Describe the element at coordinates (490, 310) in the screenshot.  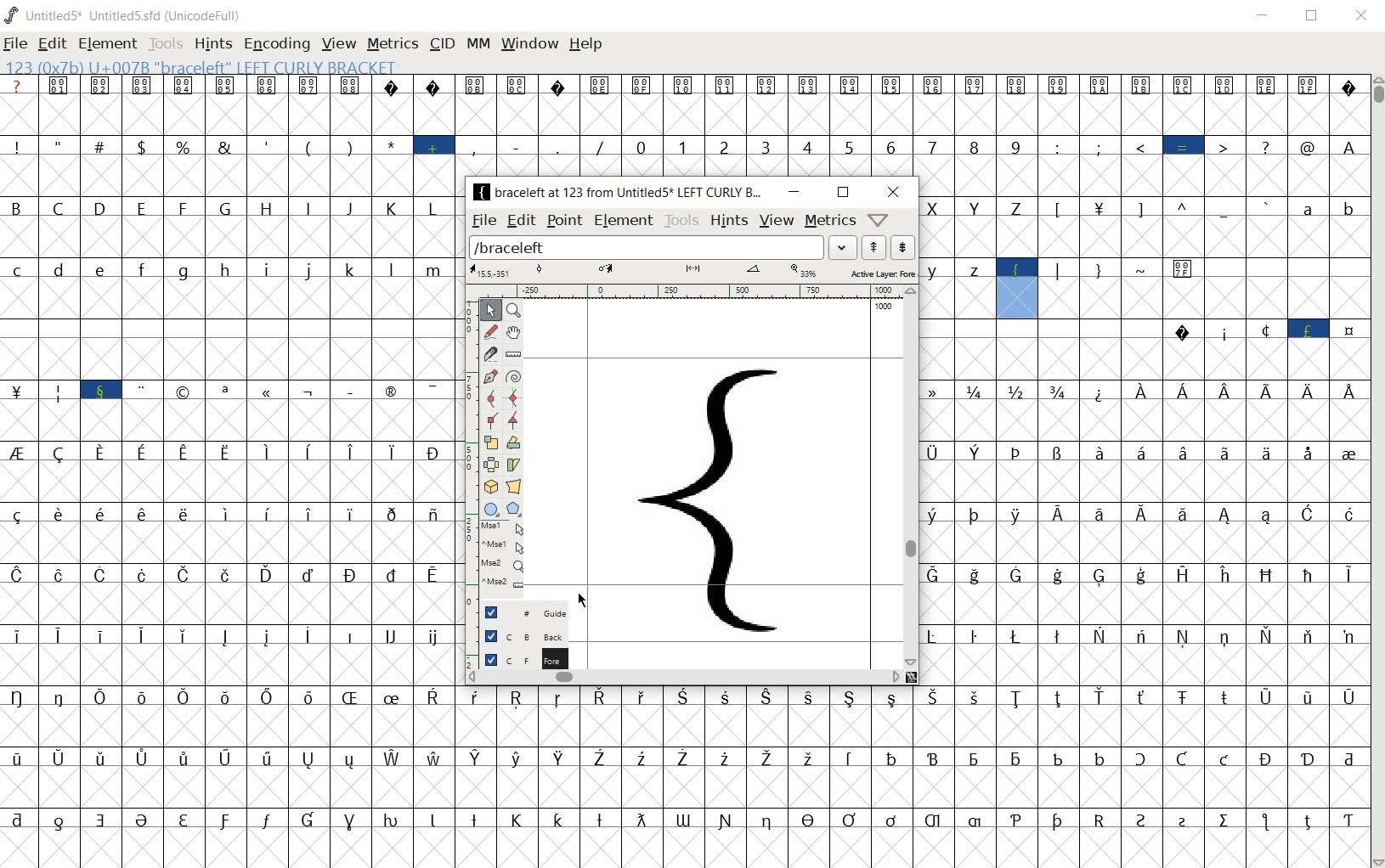
I see `POINTER` at that location.